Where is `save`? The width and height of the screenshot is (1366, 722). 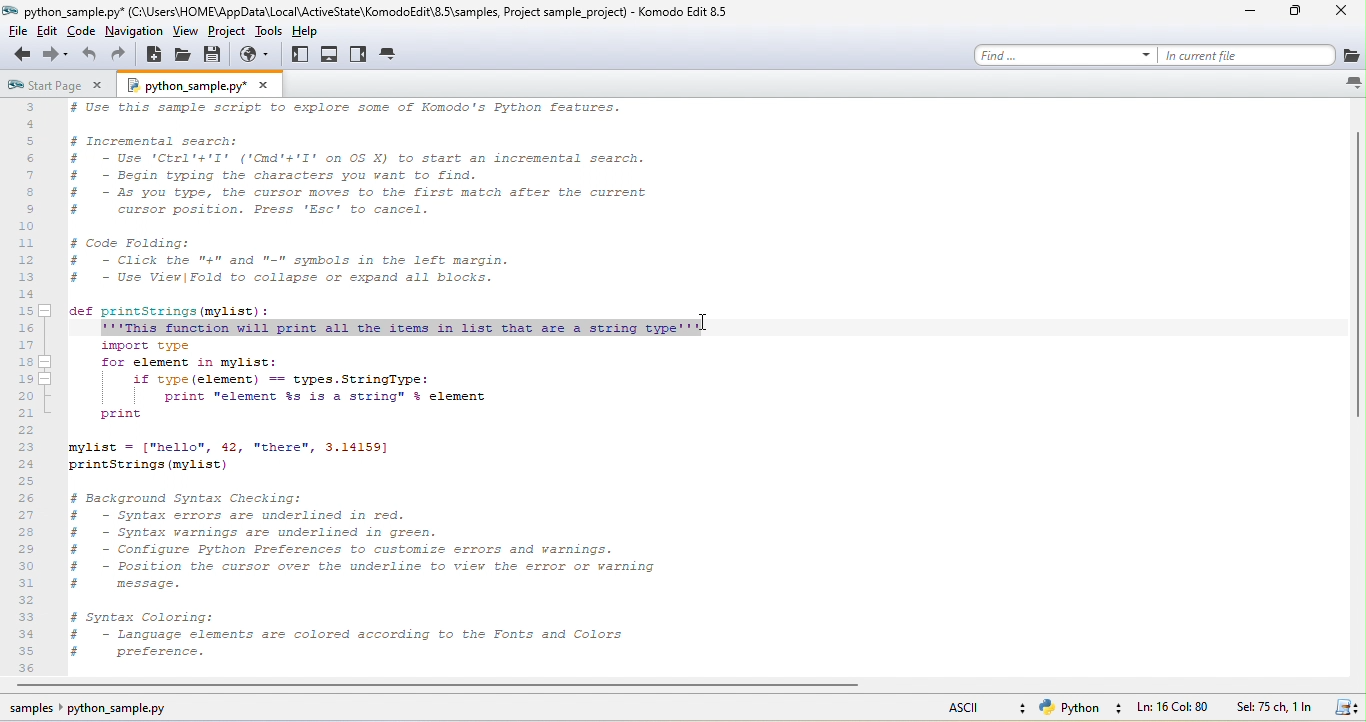
save is located at coordinates (217, 55).